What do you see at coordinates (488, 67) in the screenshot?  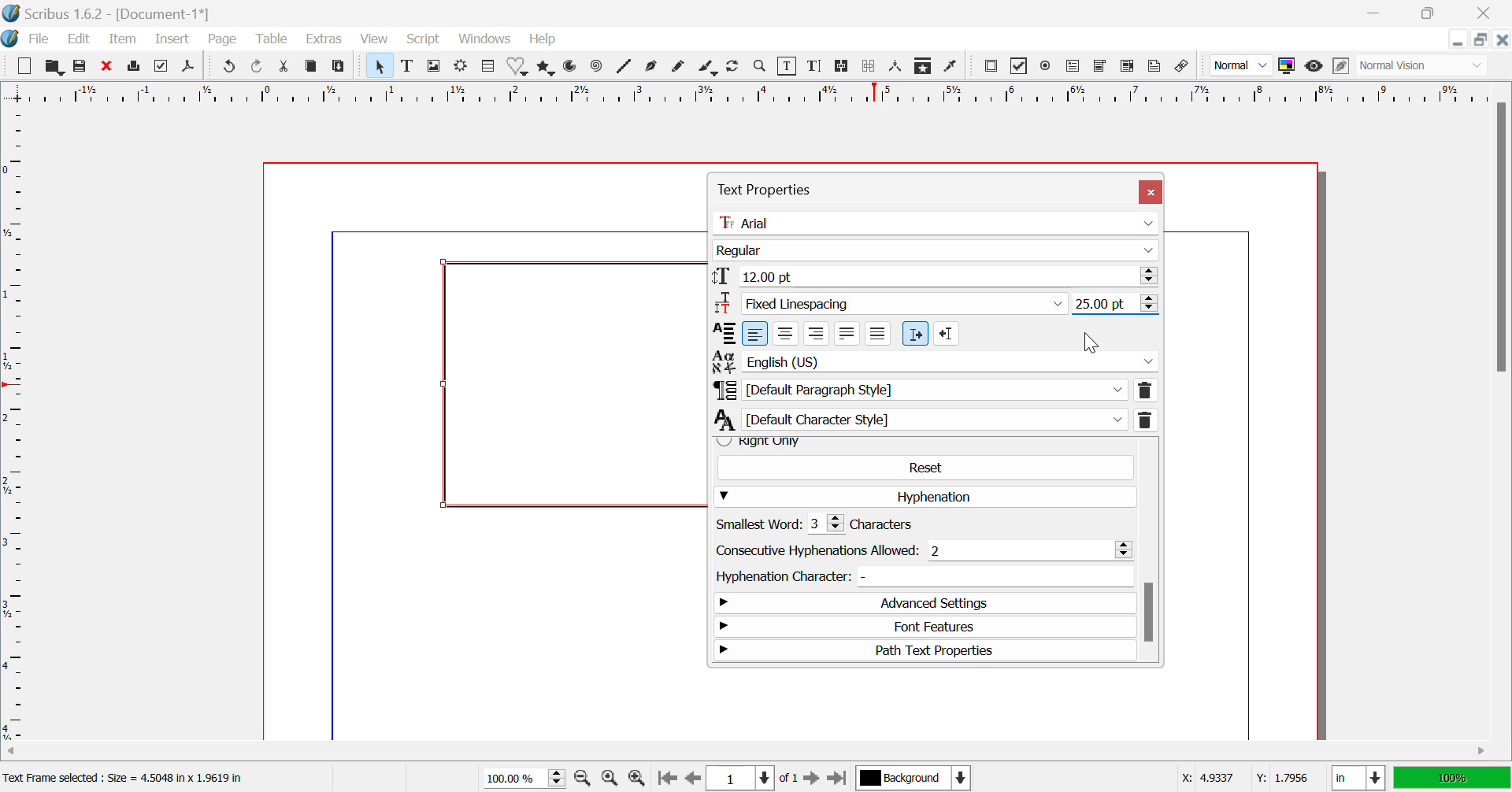 I see `Table` at bounding box center [488, 67].